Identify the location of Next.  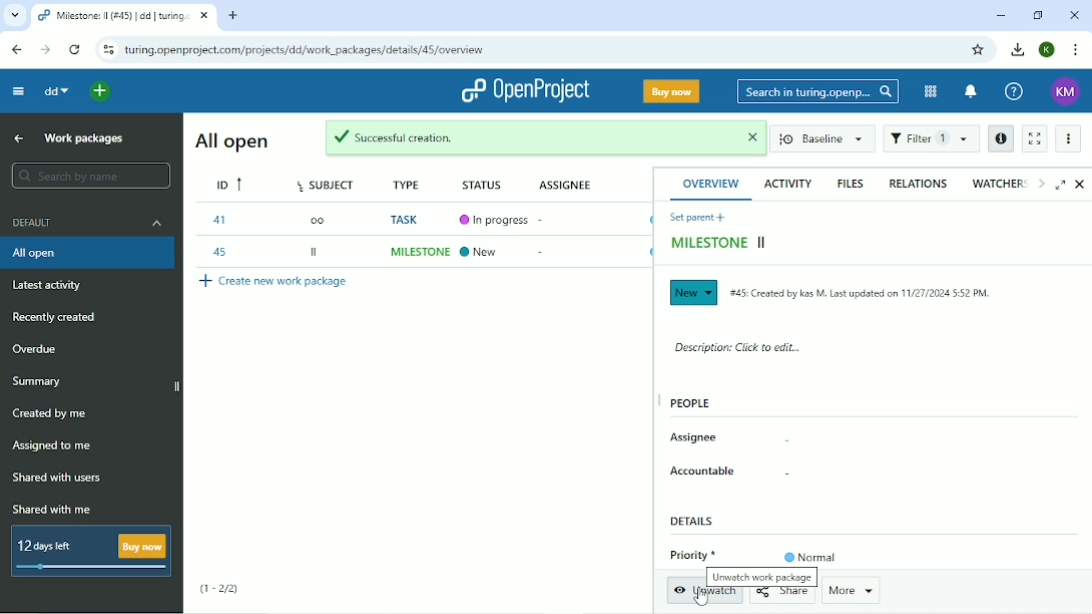
(1041, 183).